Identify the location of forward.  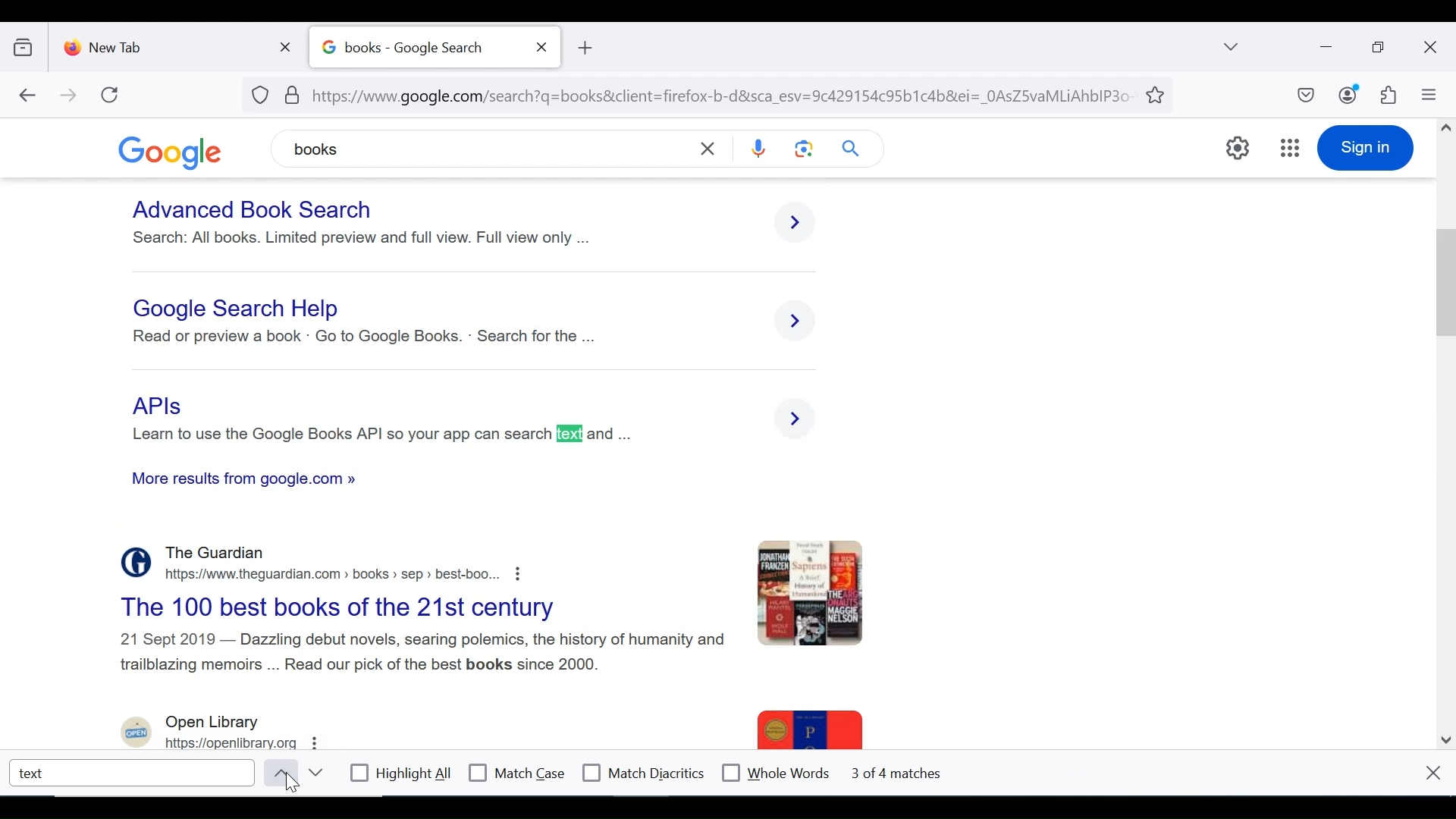
(69, 96).